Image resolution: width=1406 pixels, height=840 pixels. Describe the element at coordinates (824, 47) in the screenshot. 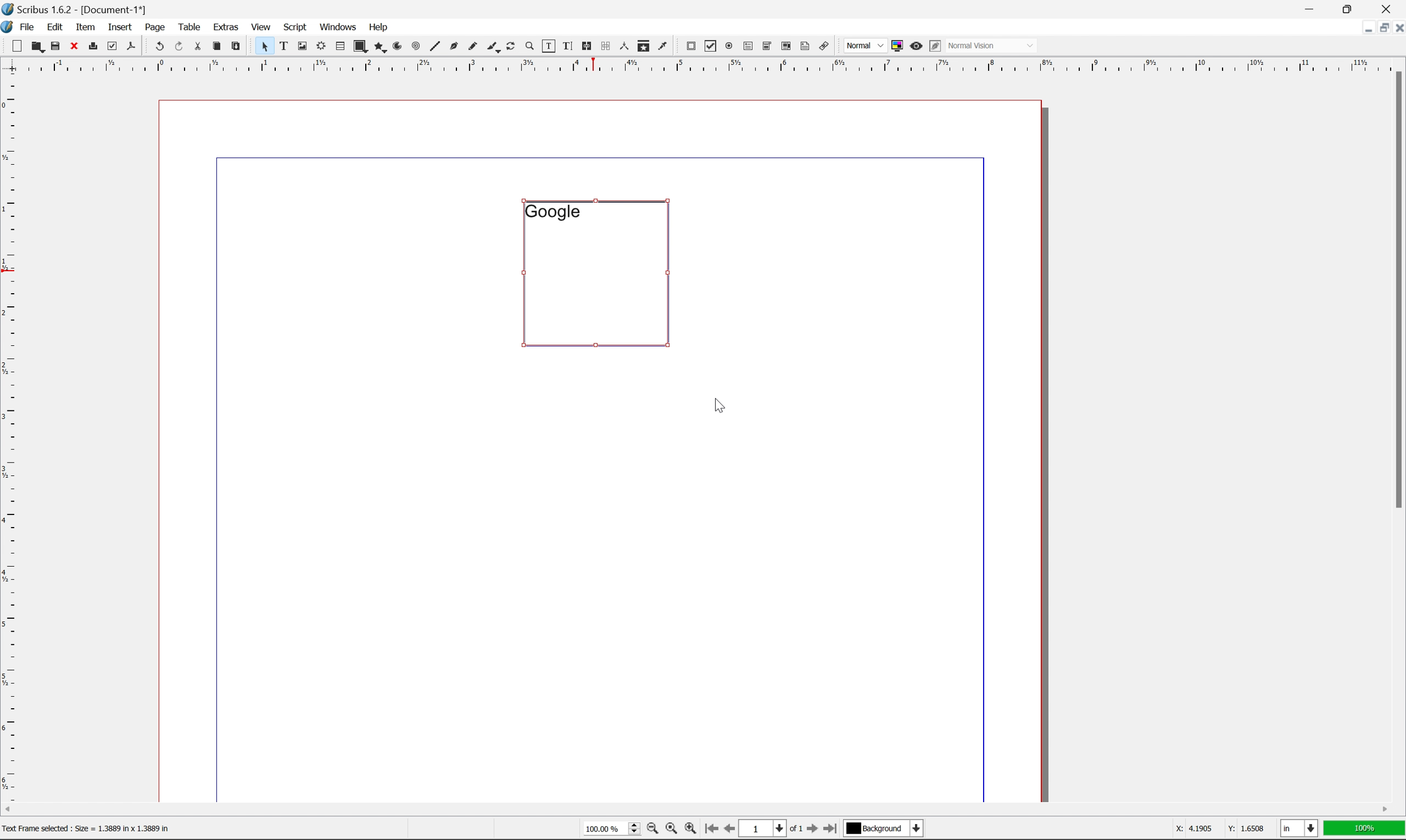

I see `link annotation` at that location.